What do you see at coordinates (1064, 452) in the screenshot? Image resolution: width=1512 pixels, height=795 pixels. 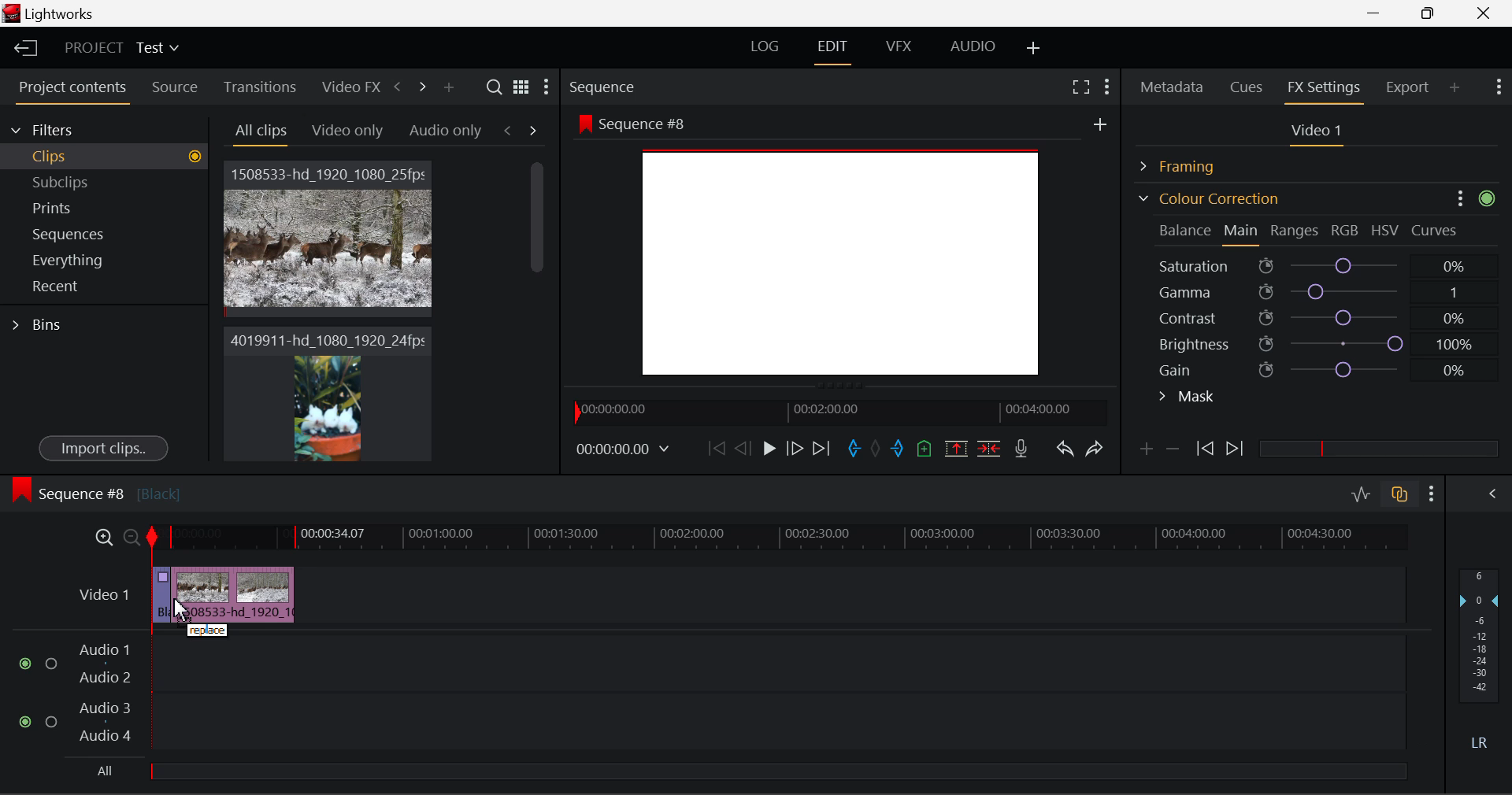 I see `Undo` at bounding box center [1064, 452].